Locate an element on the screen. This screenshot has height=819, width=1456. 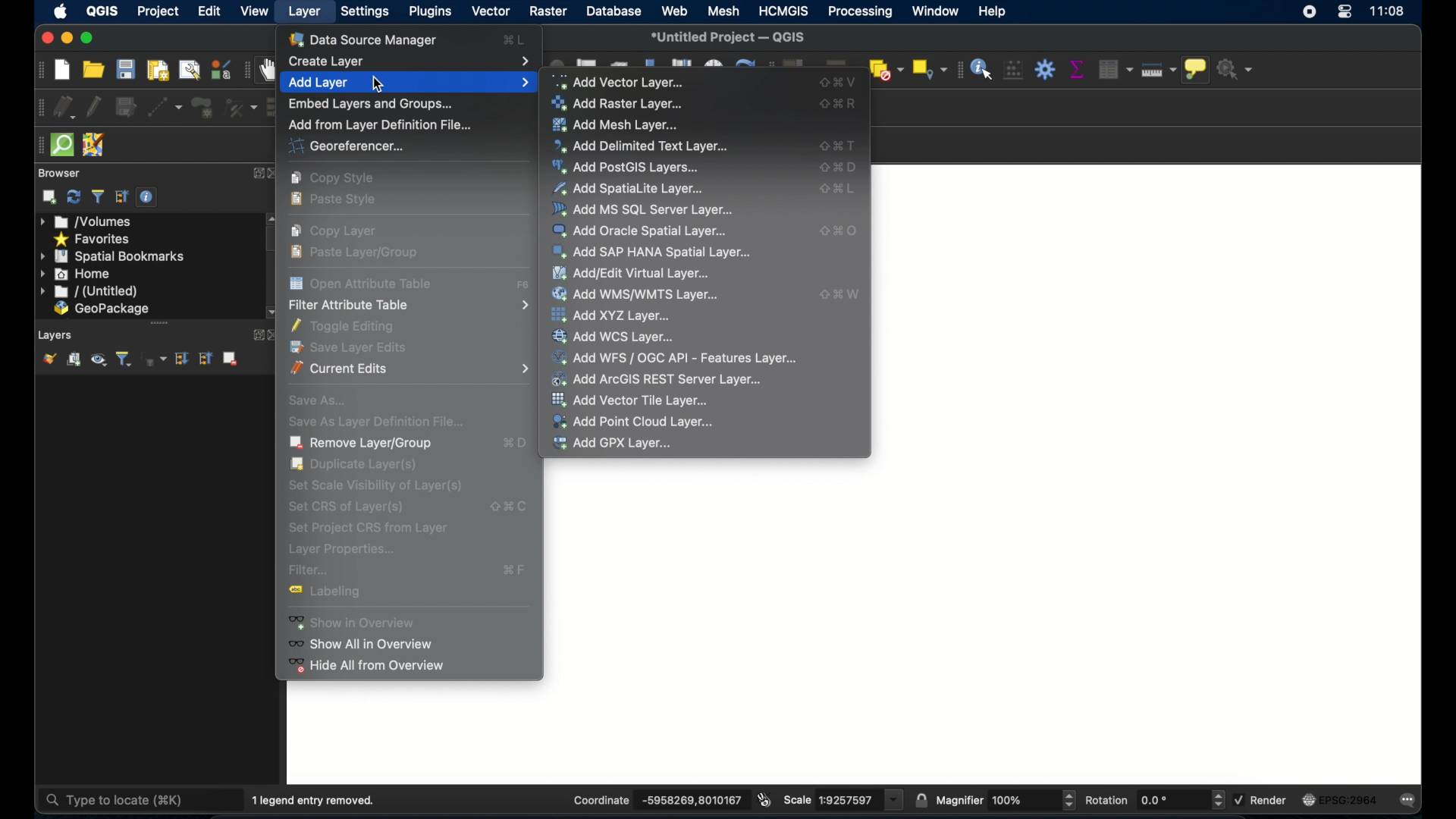
add oracle spatial layer is located at coordinates (641, 231).